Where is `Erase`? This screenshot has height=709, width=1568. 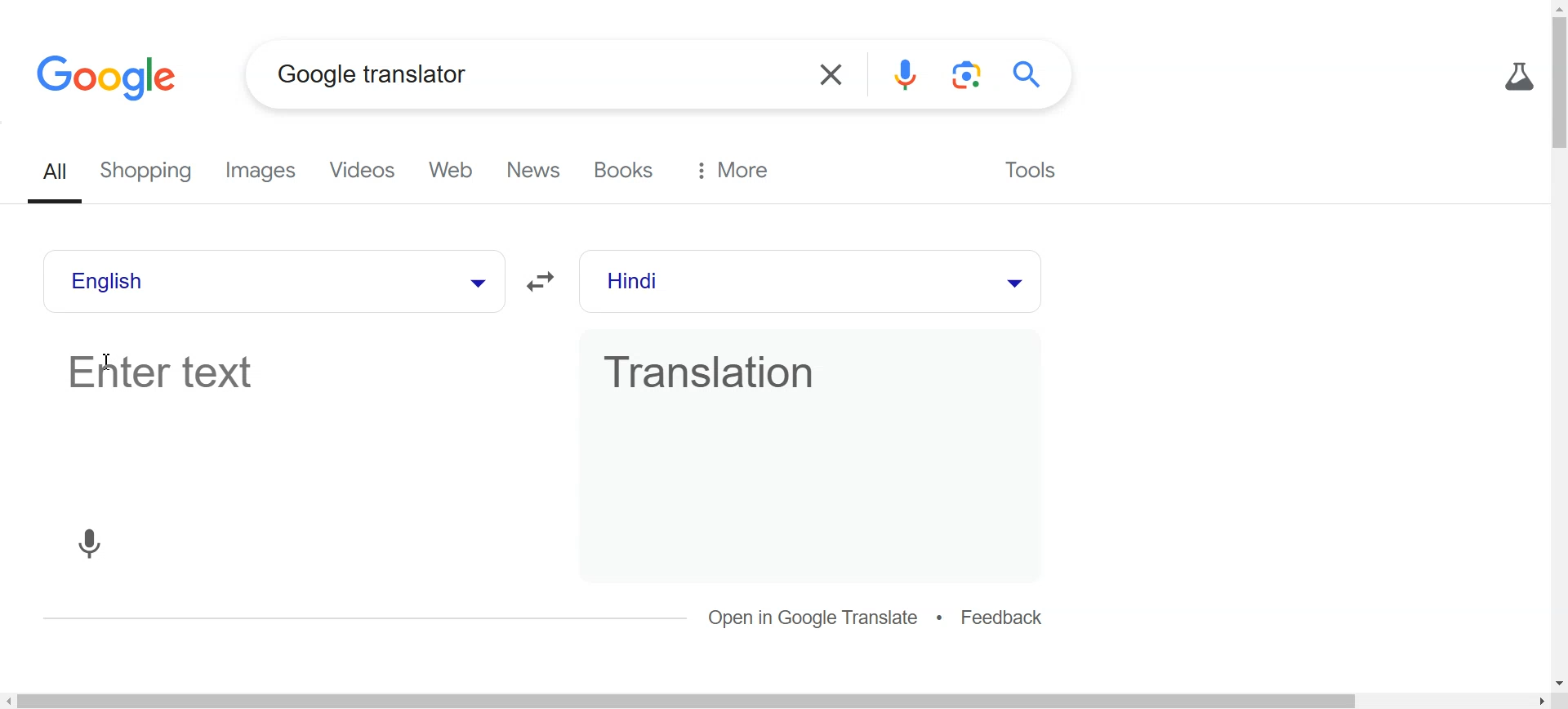
Erase is located at coordinates (828, 75).